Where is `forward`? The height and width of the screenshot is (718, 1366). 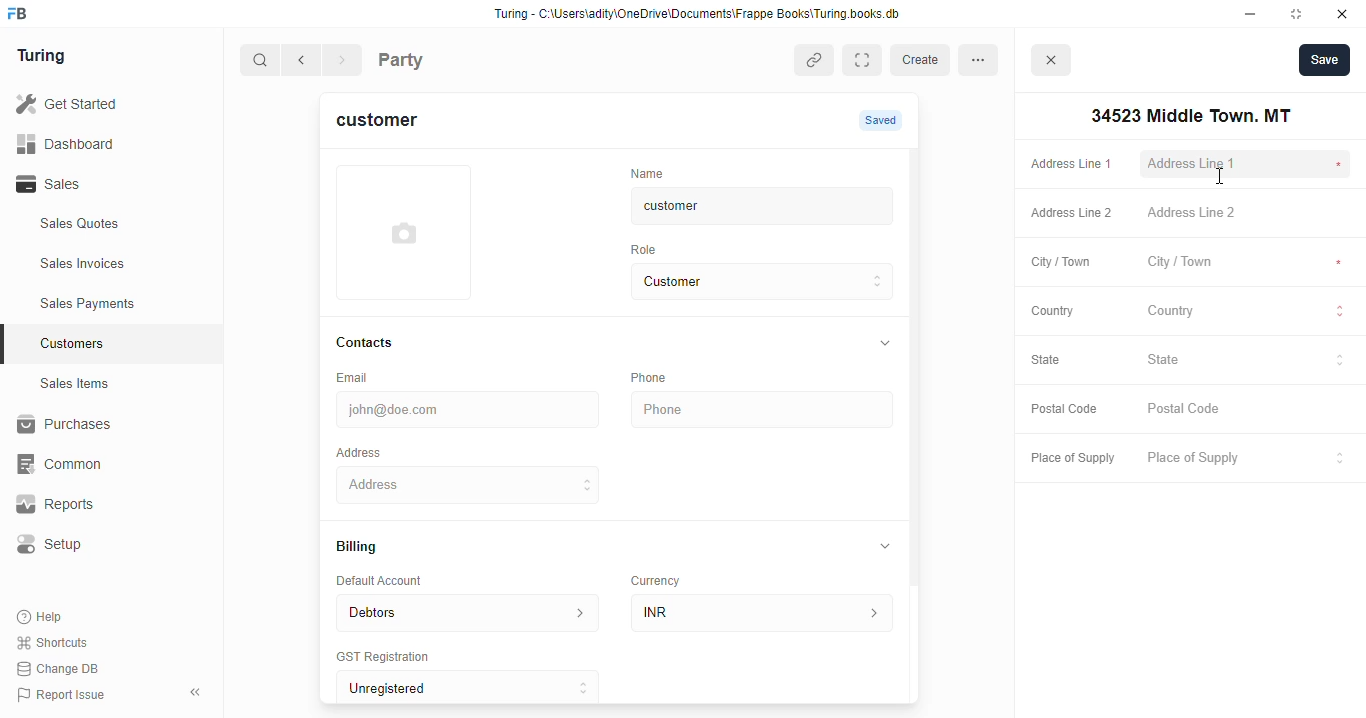
forward is located at coordinates (344, 62).